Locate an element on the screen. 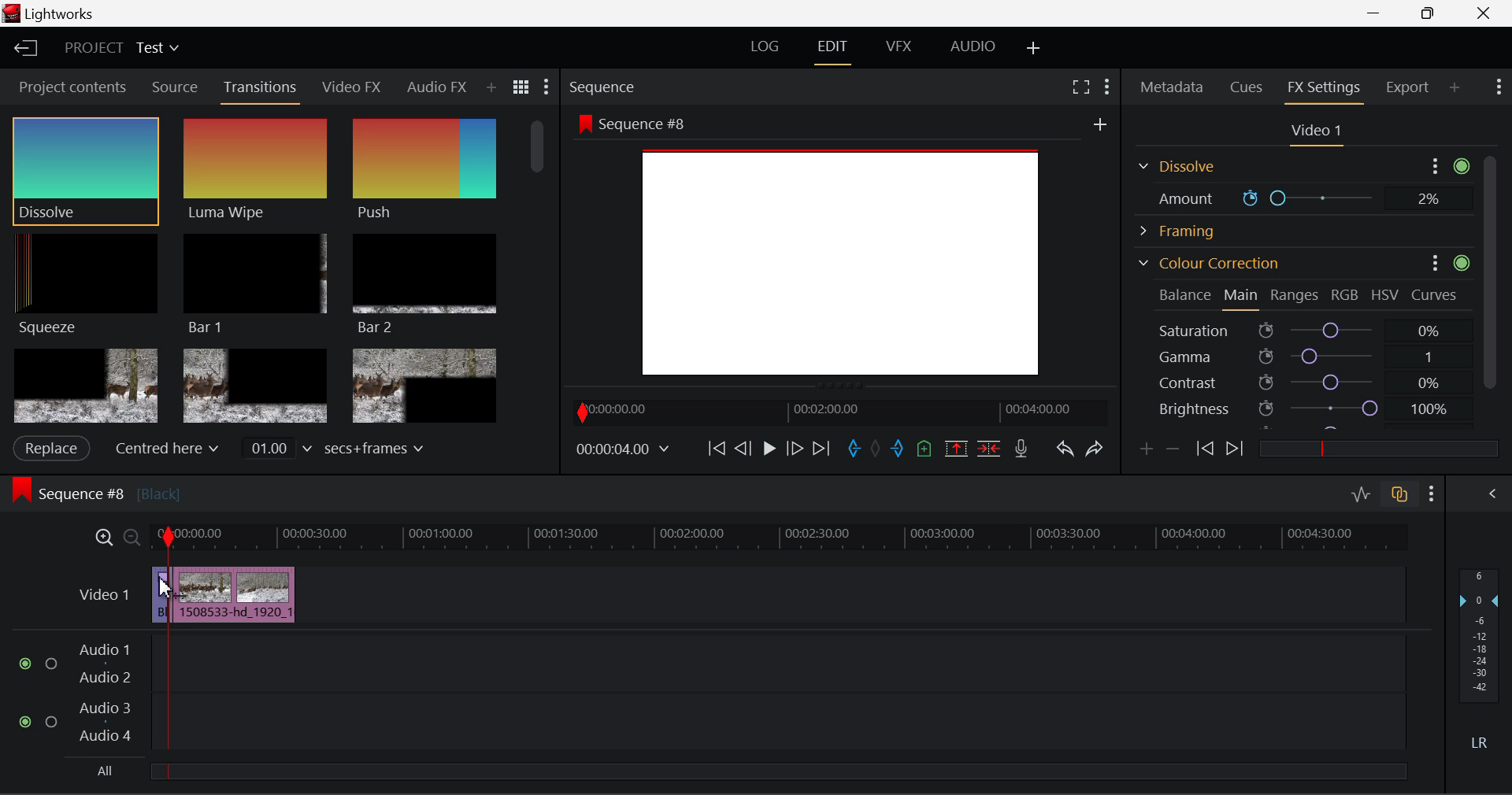 This screenshot has width=1512, height=795. Add Layout is located at coordinates (1034, 49).